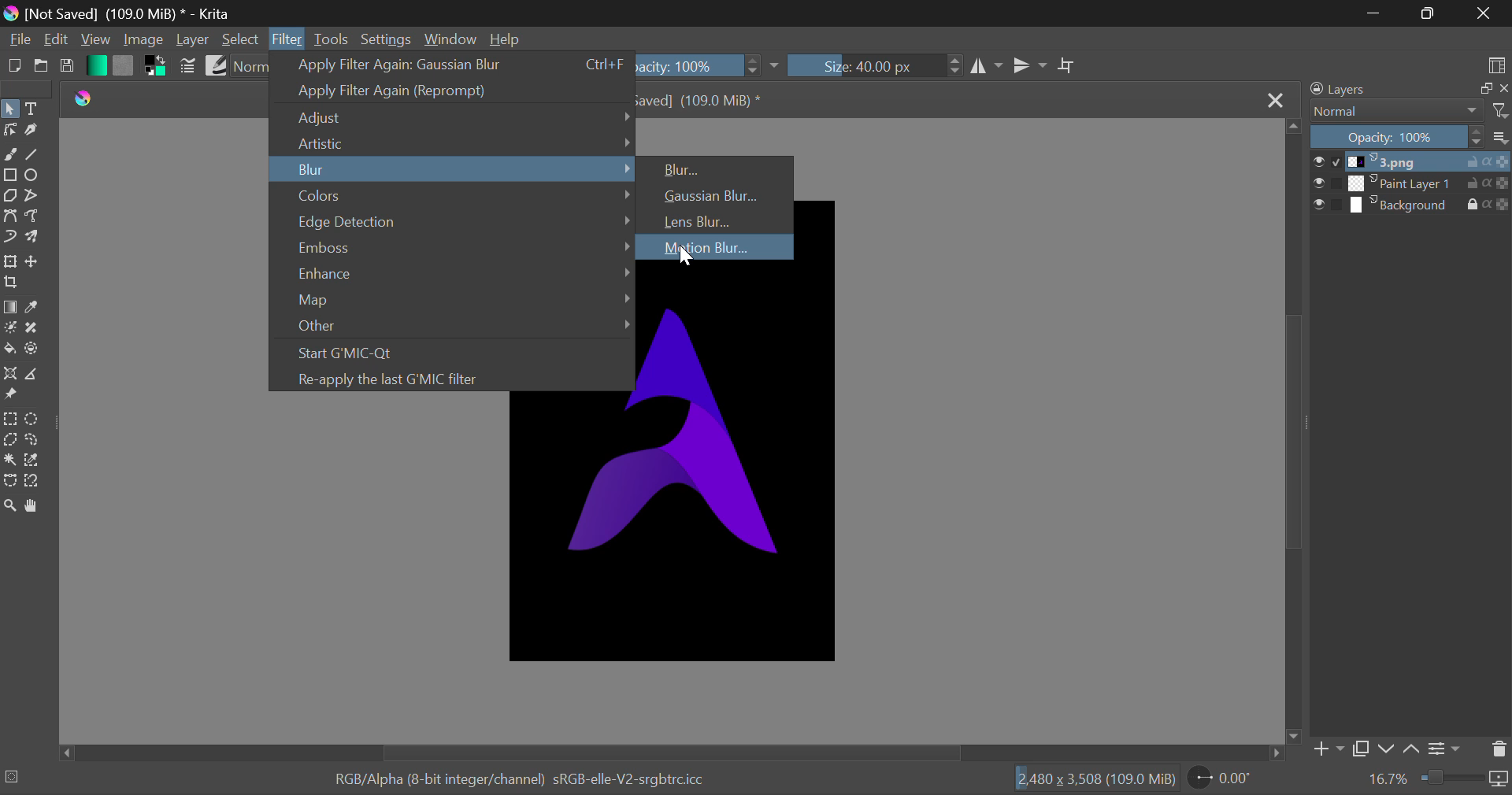 The width and height of the screenshot is (1512, 795). Describe the element at coordinates (33, 196) in the screenshot. I see `Polyline` at that location.